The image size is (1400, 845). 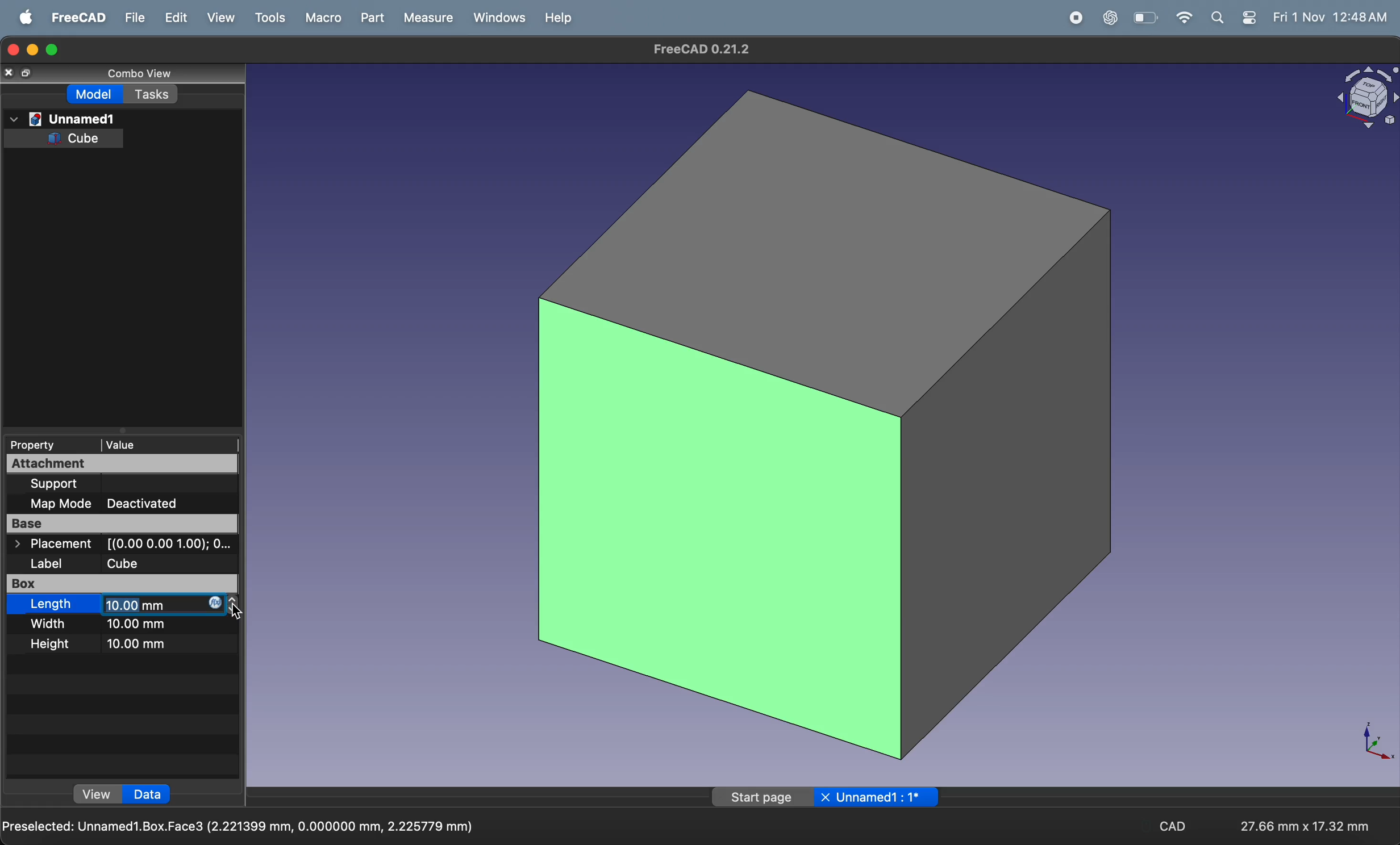 I want to click on Unnamed1: 1*, so click(x=881, y=797).